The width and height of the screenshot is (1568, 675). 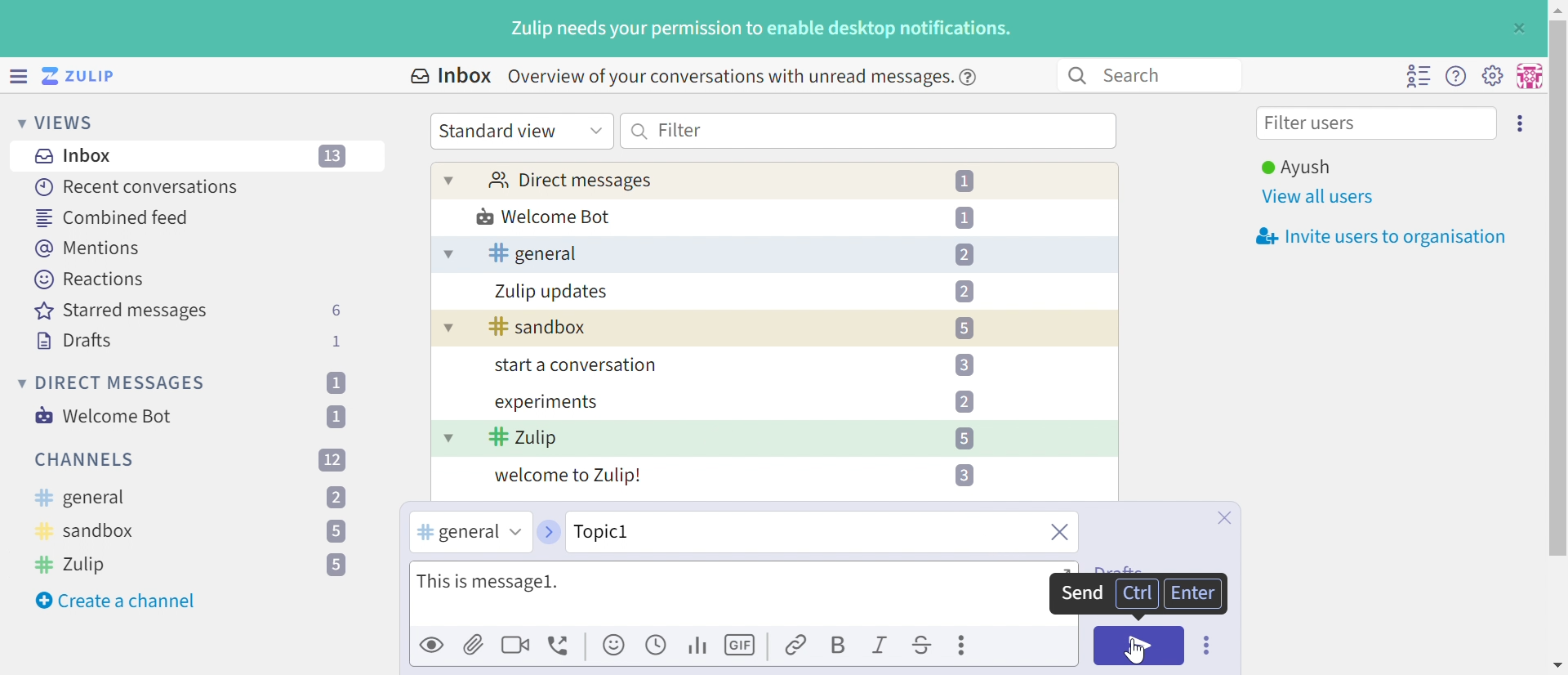 What do you see at coordinates (19, 382) in the screenshot?
I see `Drop Down` at bounding box center [19, 382].